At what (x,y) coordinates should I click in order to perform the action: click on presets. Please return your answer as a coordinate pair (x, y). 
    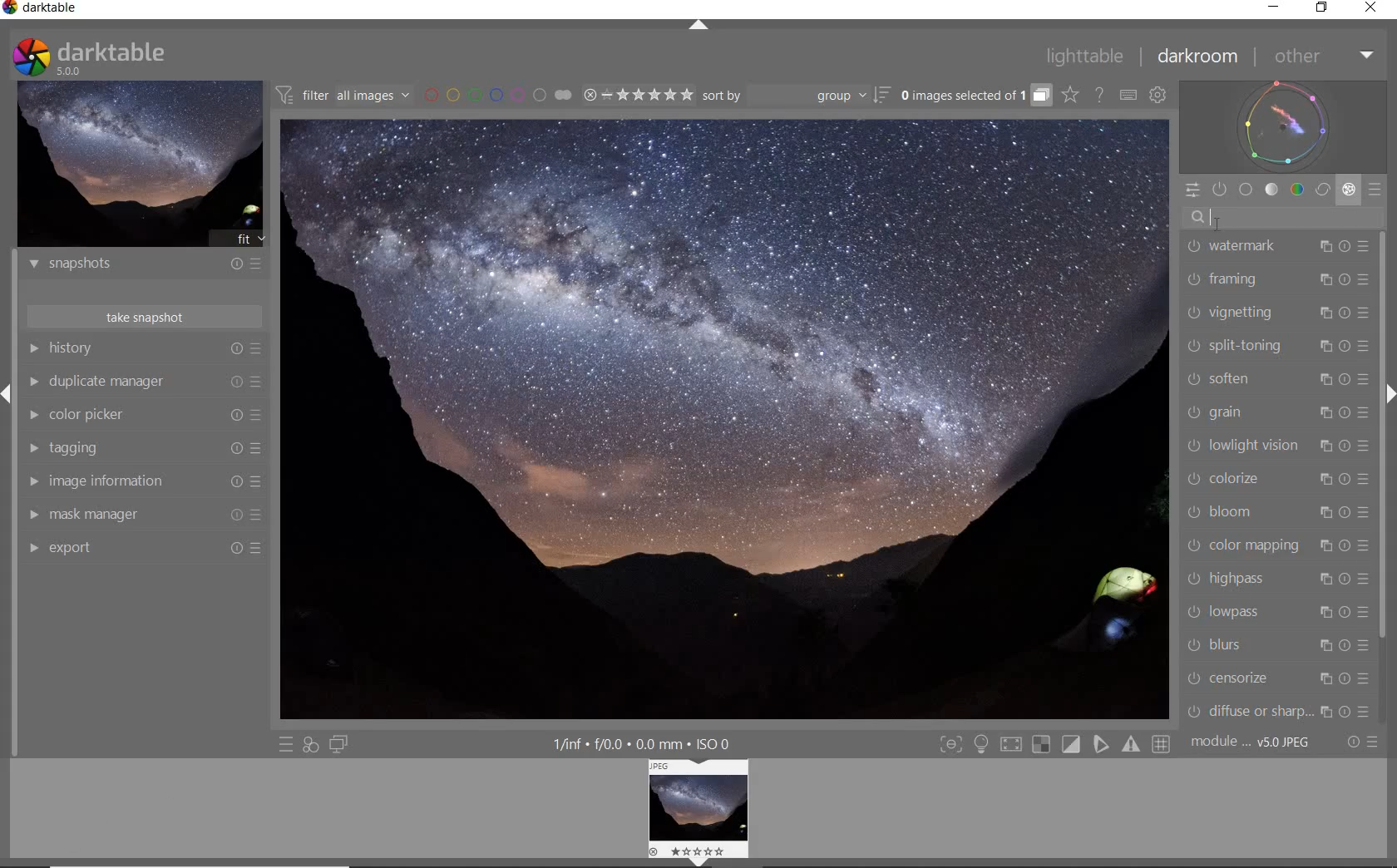
    Looking at the image, I should click on (1368, 679).